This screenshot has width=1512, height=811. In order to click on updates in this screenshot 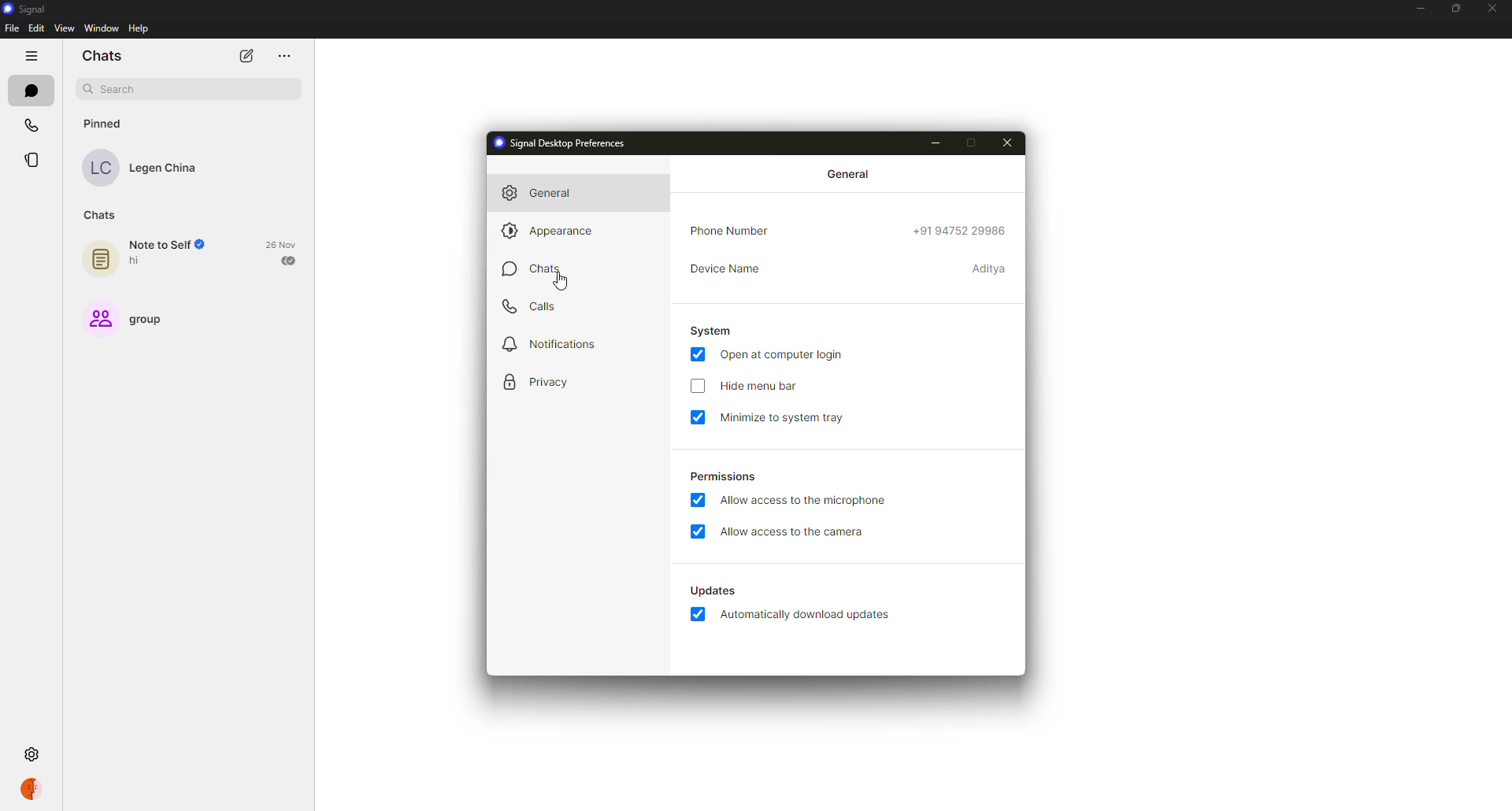, I will do `click(715, 591)`.